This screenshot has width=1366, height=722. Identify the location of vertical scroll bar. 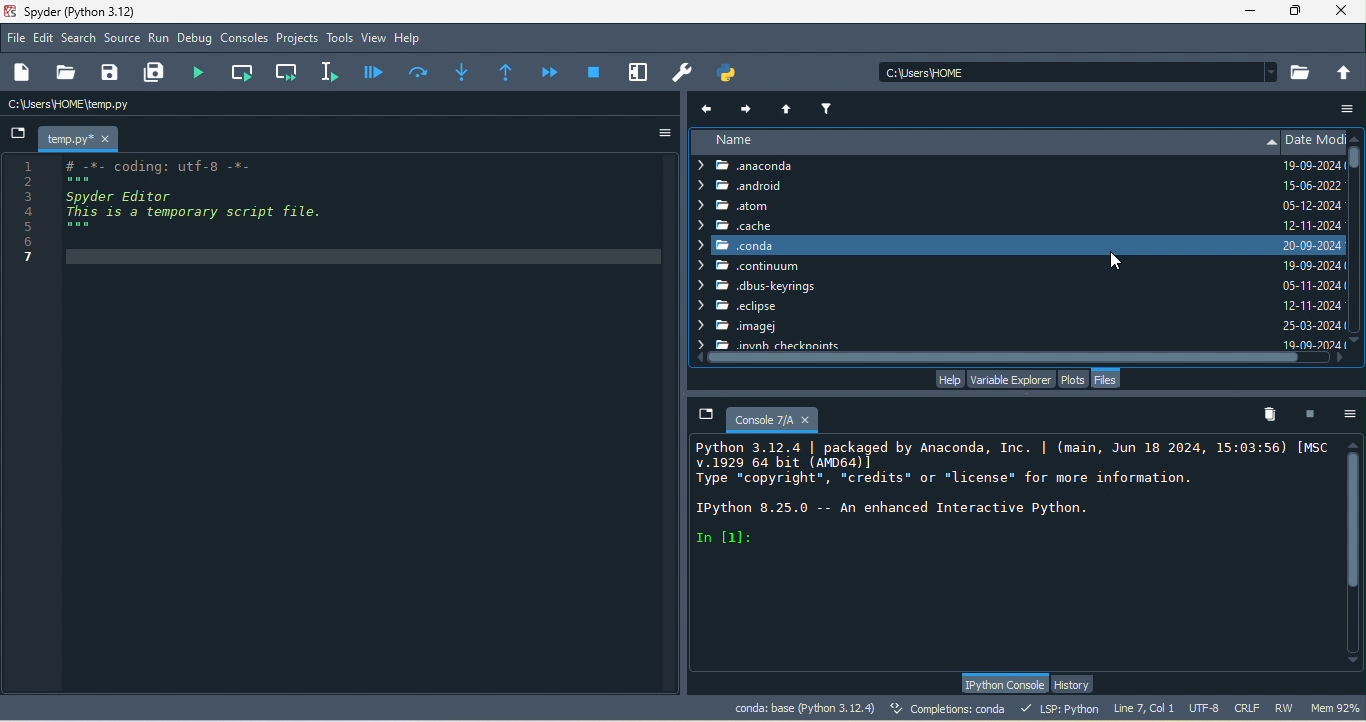
(1355, 552).